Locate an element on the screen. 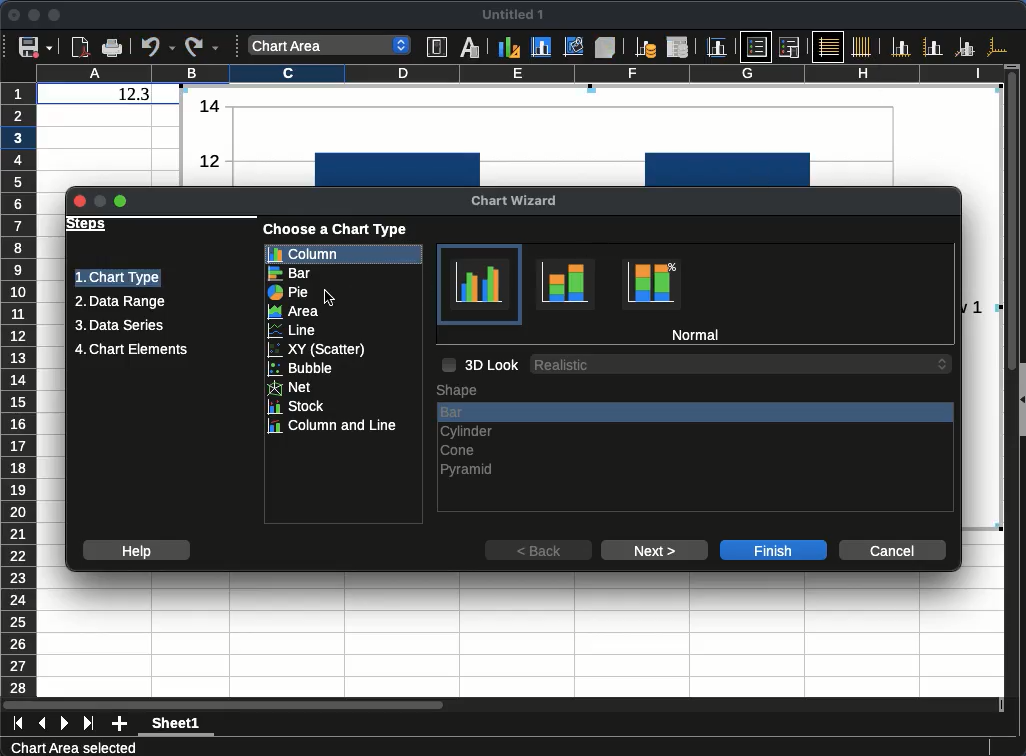 The image size is (1026, 756). column  is located at coordinates (519, 72).